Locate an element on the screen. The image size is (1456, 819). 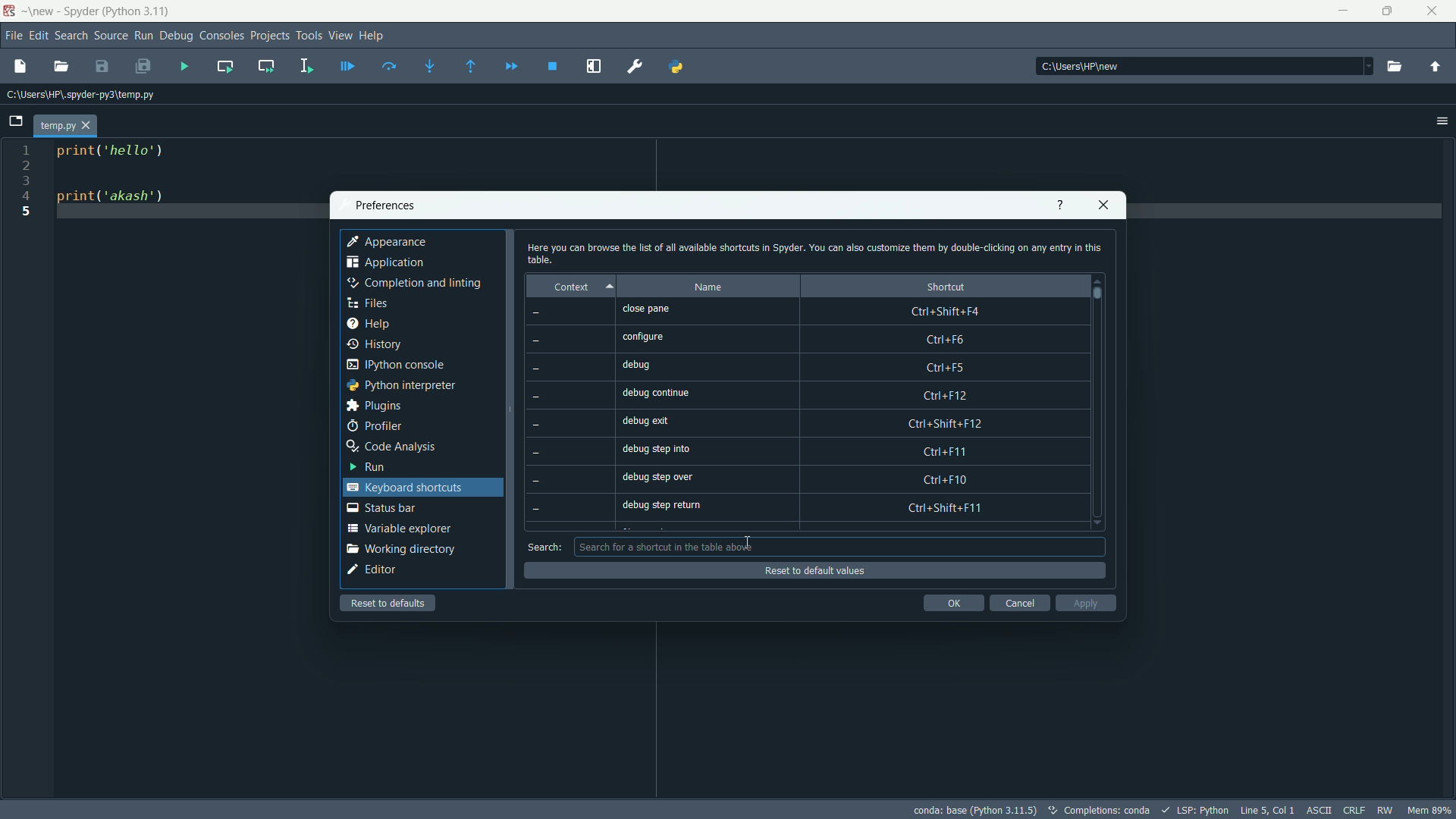
history is located at coordinates (376, 345).